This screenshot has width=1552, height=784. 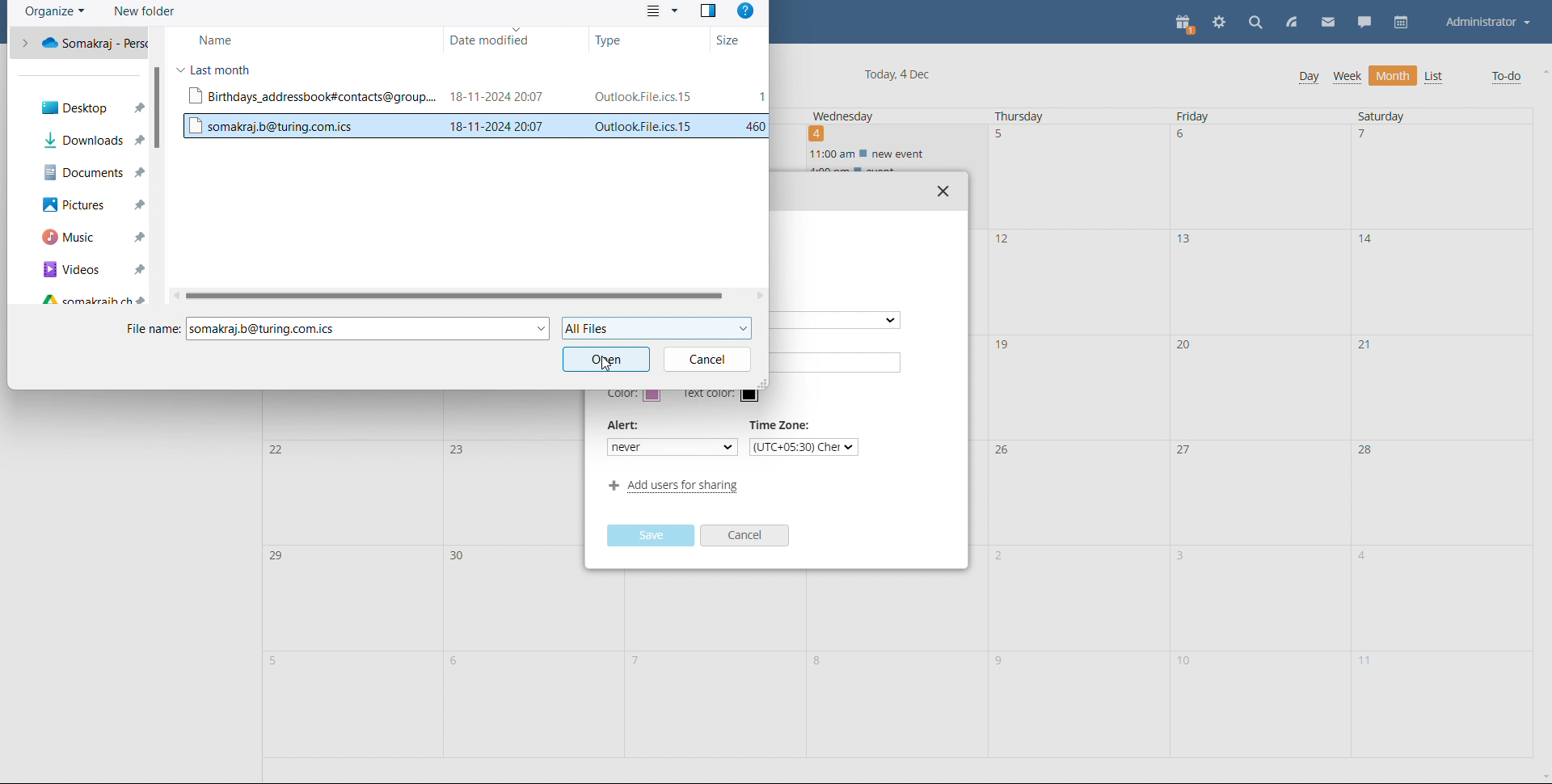 I want to click on file 1, so click(x=477, y=98).